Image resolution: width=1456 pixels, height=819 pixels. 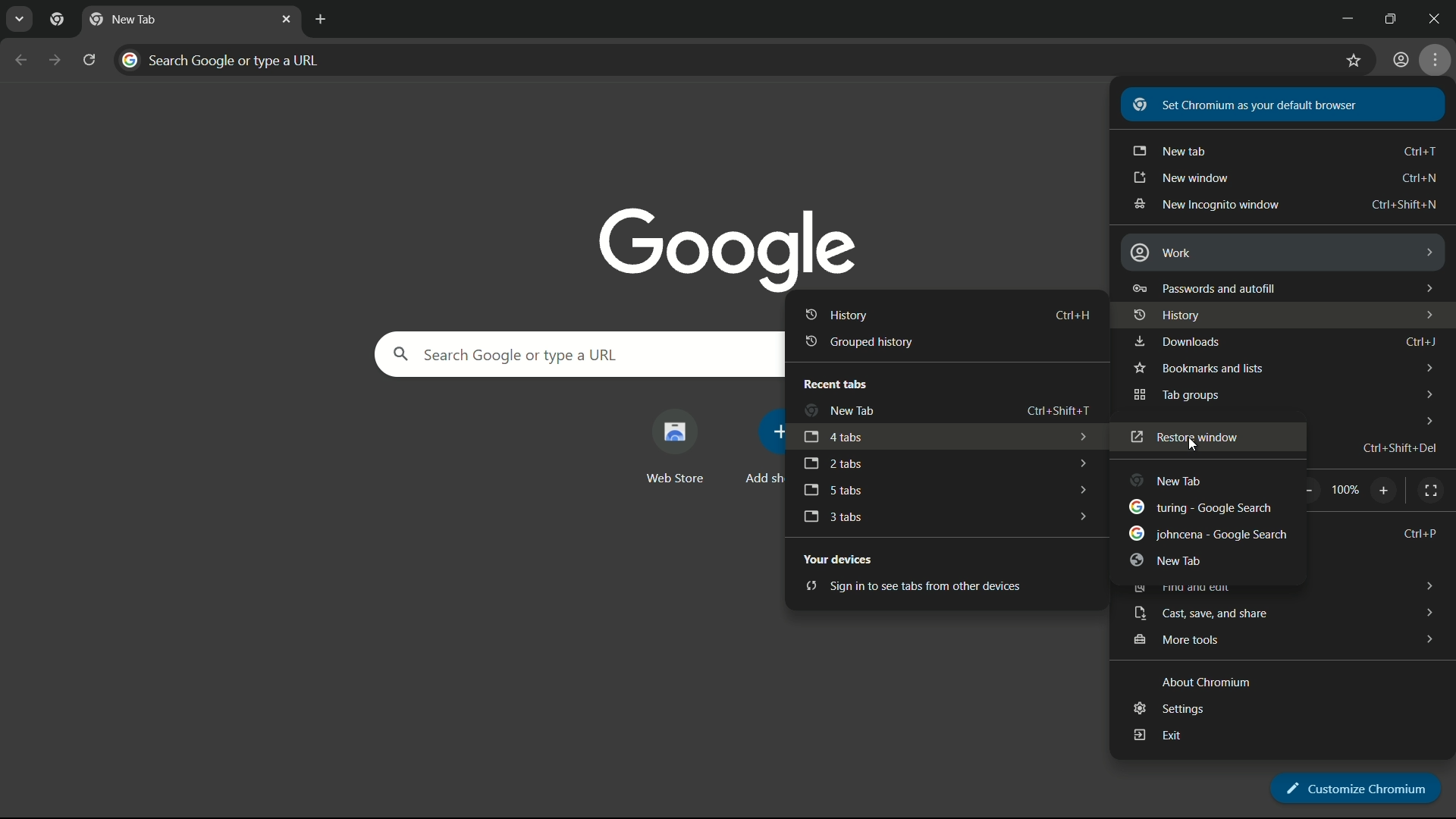 What do you see at coordinates (833, 491) in the screenshot?
I see `5 tabs` at bounding box center [833, 491].